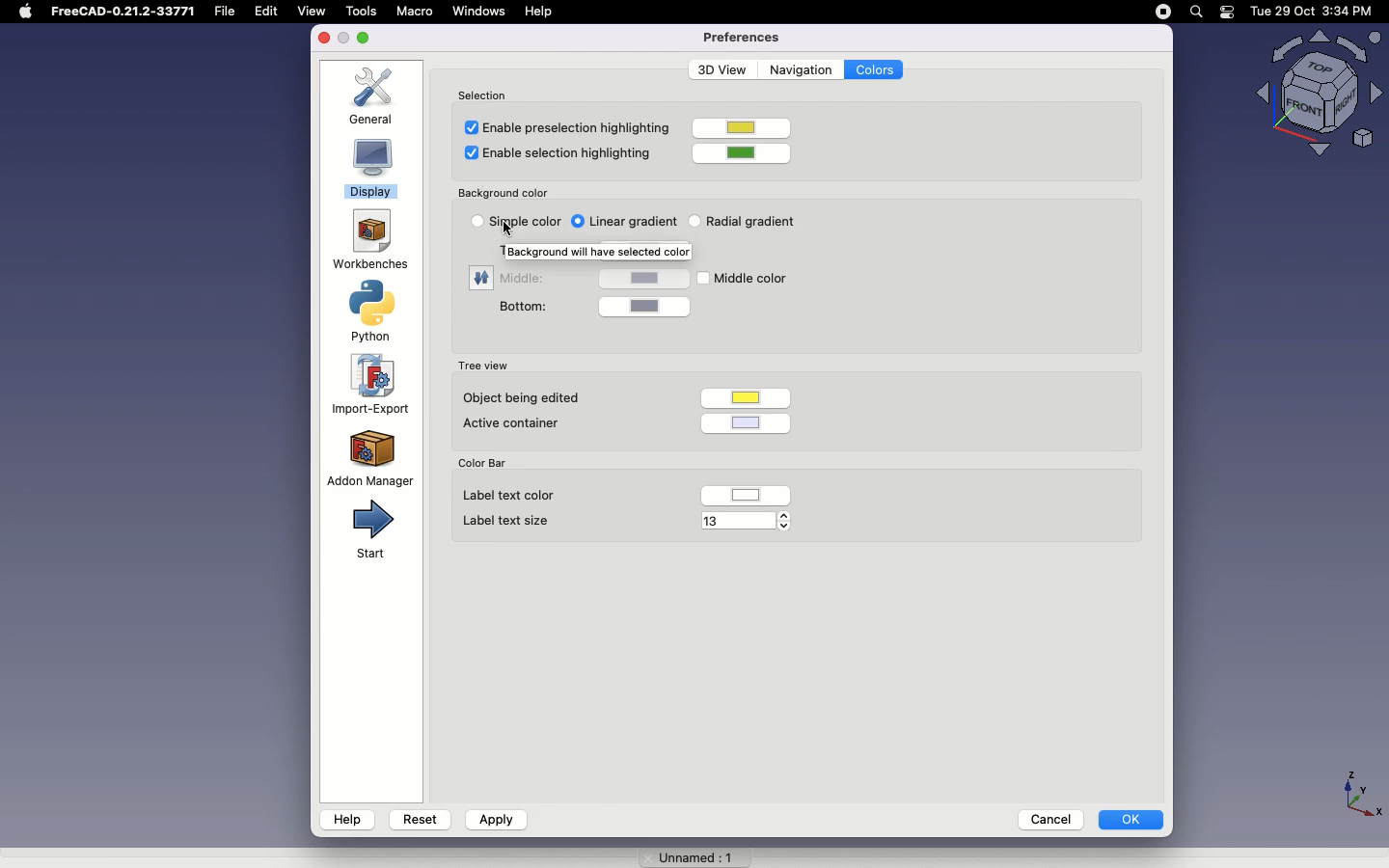 The height and width of the screenshot is (868, 1389). I want to click on Python, so click(376, 312).